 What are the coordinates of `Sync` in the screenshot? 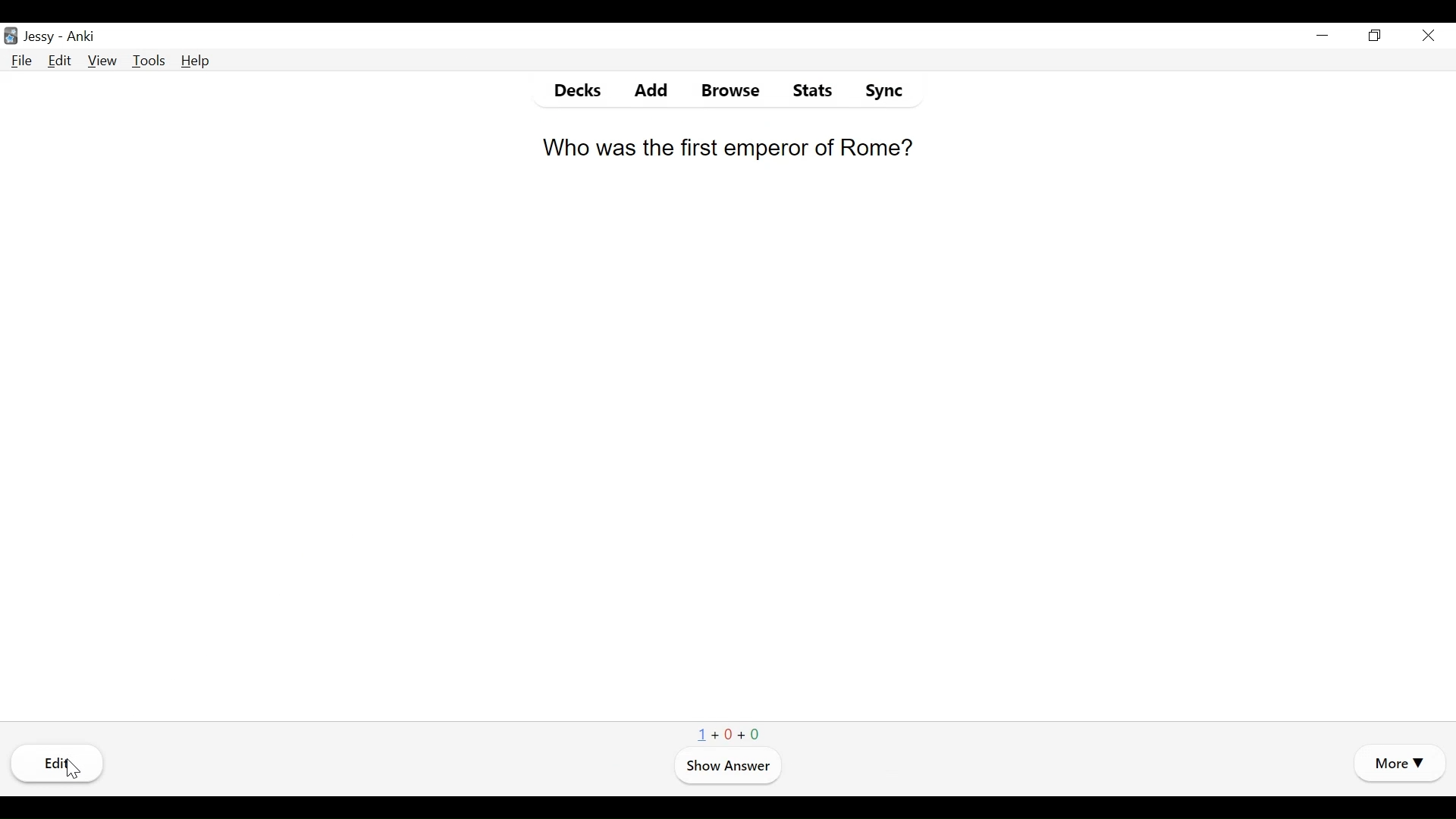 It's located at (880, 90).